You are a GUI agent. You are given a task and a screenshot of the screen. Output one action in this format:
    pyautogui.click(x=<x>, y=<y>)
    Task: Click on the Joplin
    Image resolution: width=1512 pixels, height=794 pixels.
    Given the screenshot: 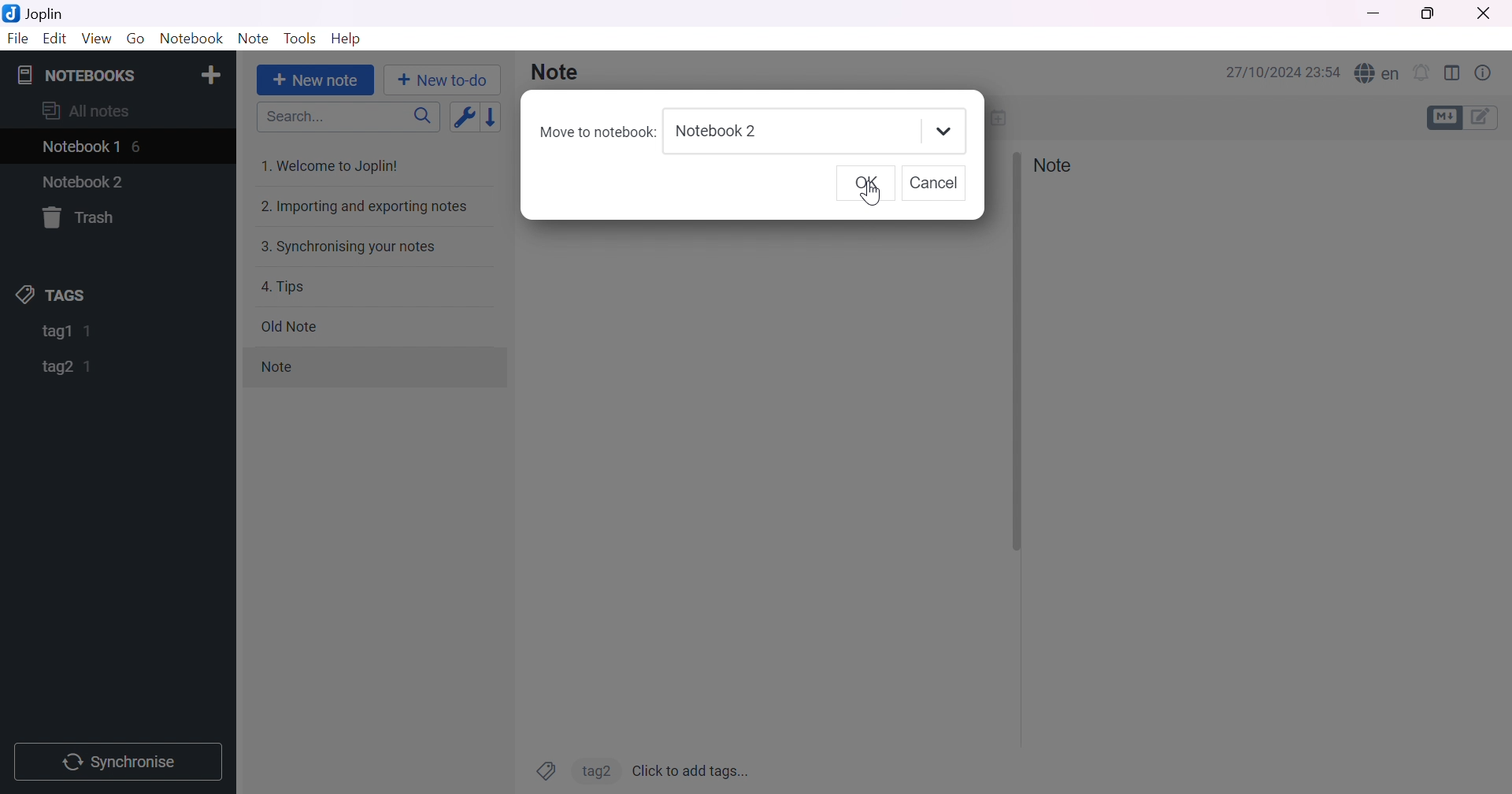 What is the action you would take?
    pyautogui.click(x=36, y=13)
    